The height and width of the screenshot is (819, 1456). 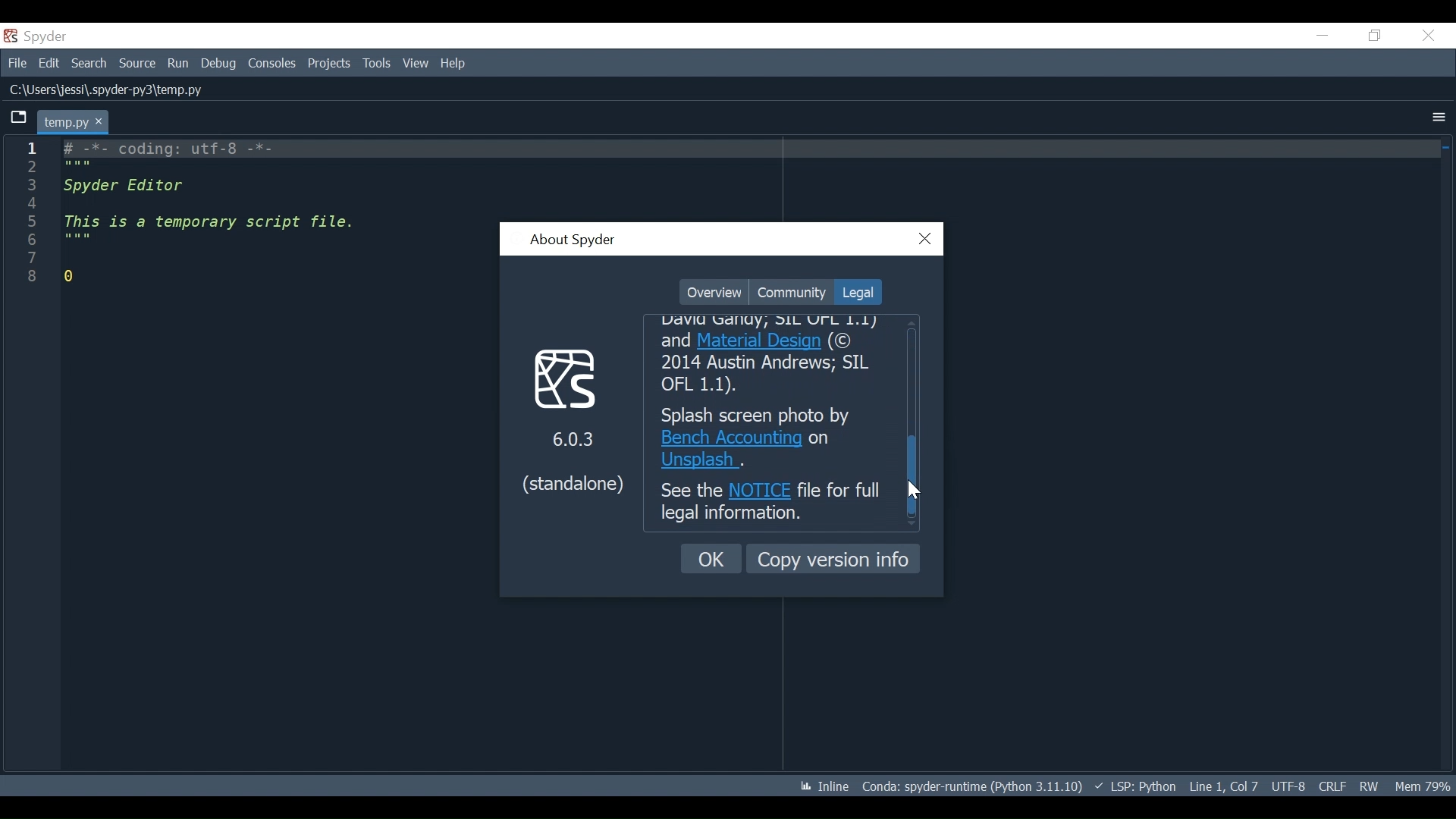 I want to click on Tools, so click(x=378, y=64).